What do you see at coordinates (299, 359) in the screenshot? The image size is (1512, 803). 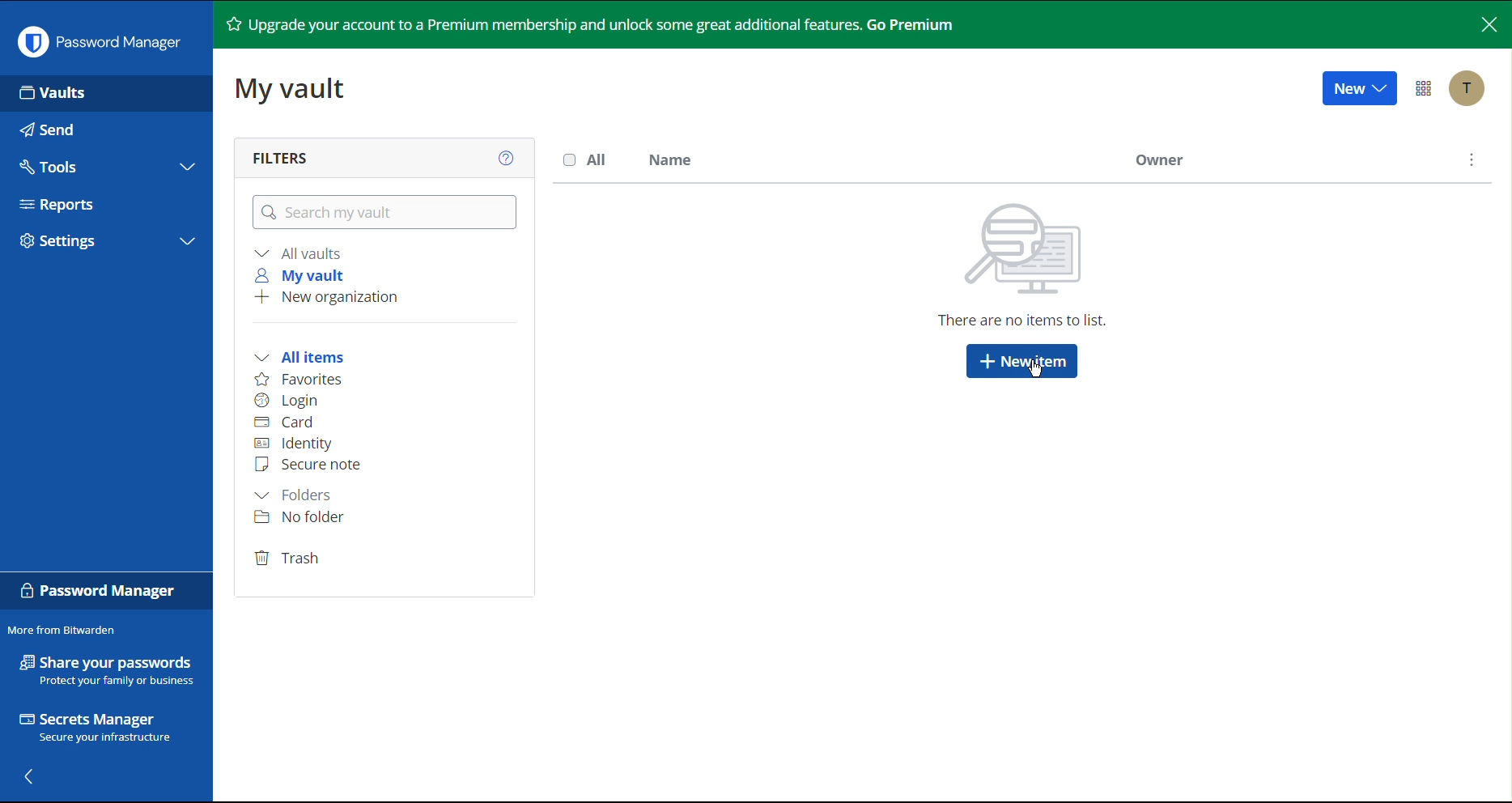 I see `All items` at bounding box center [299, 359].